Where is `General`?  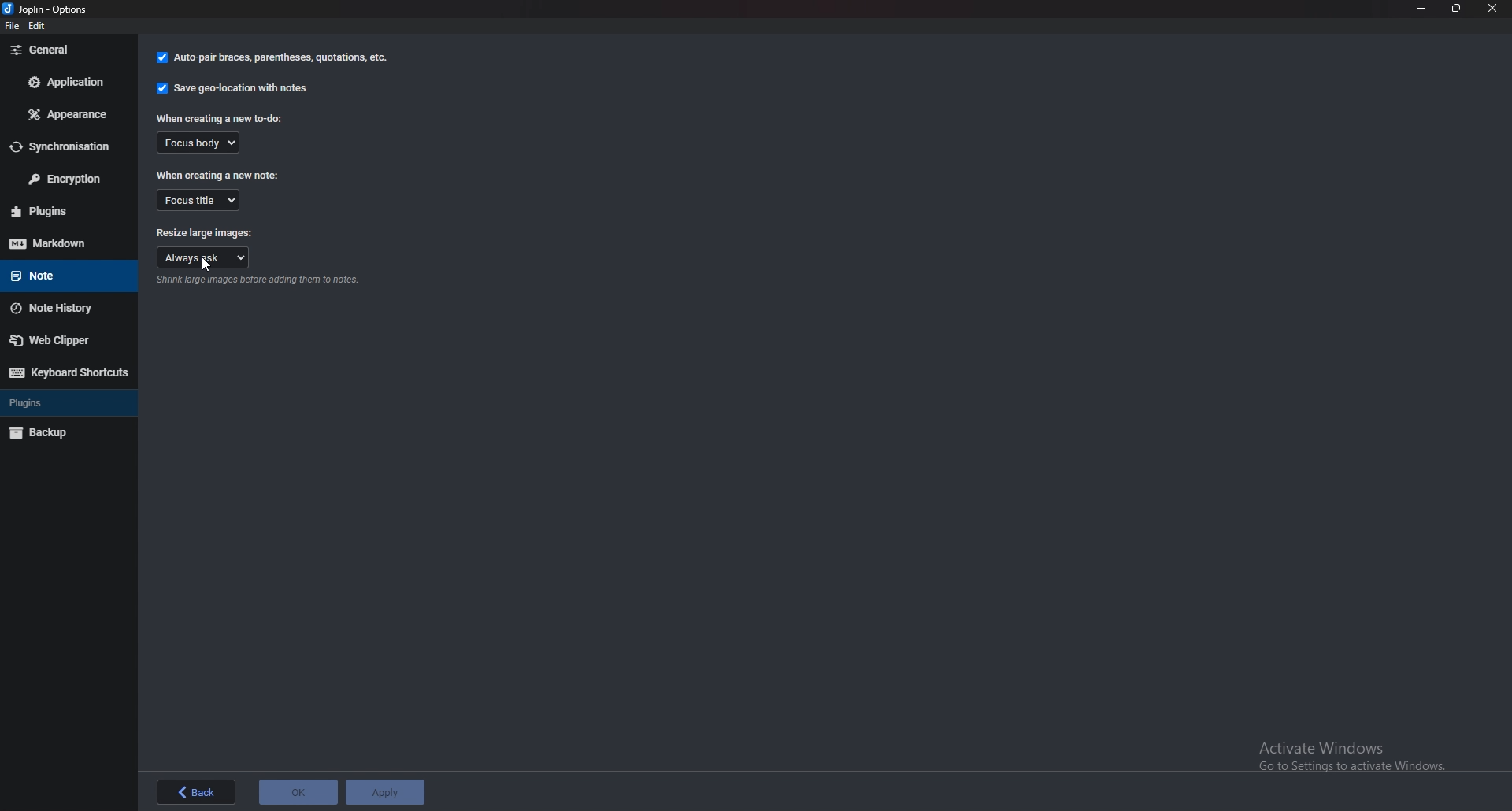 General is located at coordinates (69, 49).